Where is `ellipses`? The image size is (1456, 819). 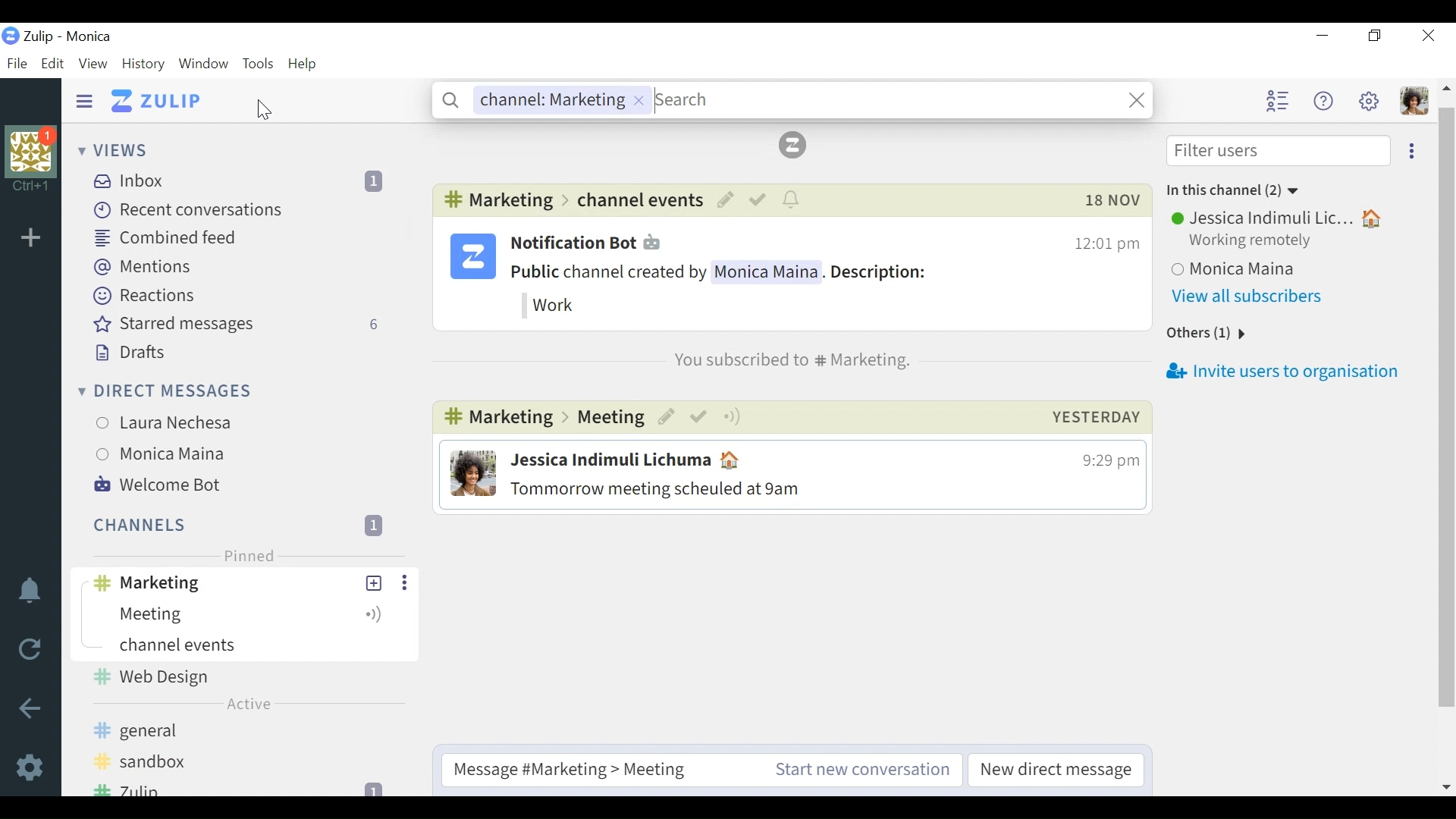 ellipses is located at coordinates (403, 582).